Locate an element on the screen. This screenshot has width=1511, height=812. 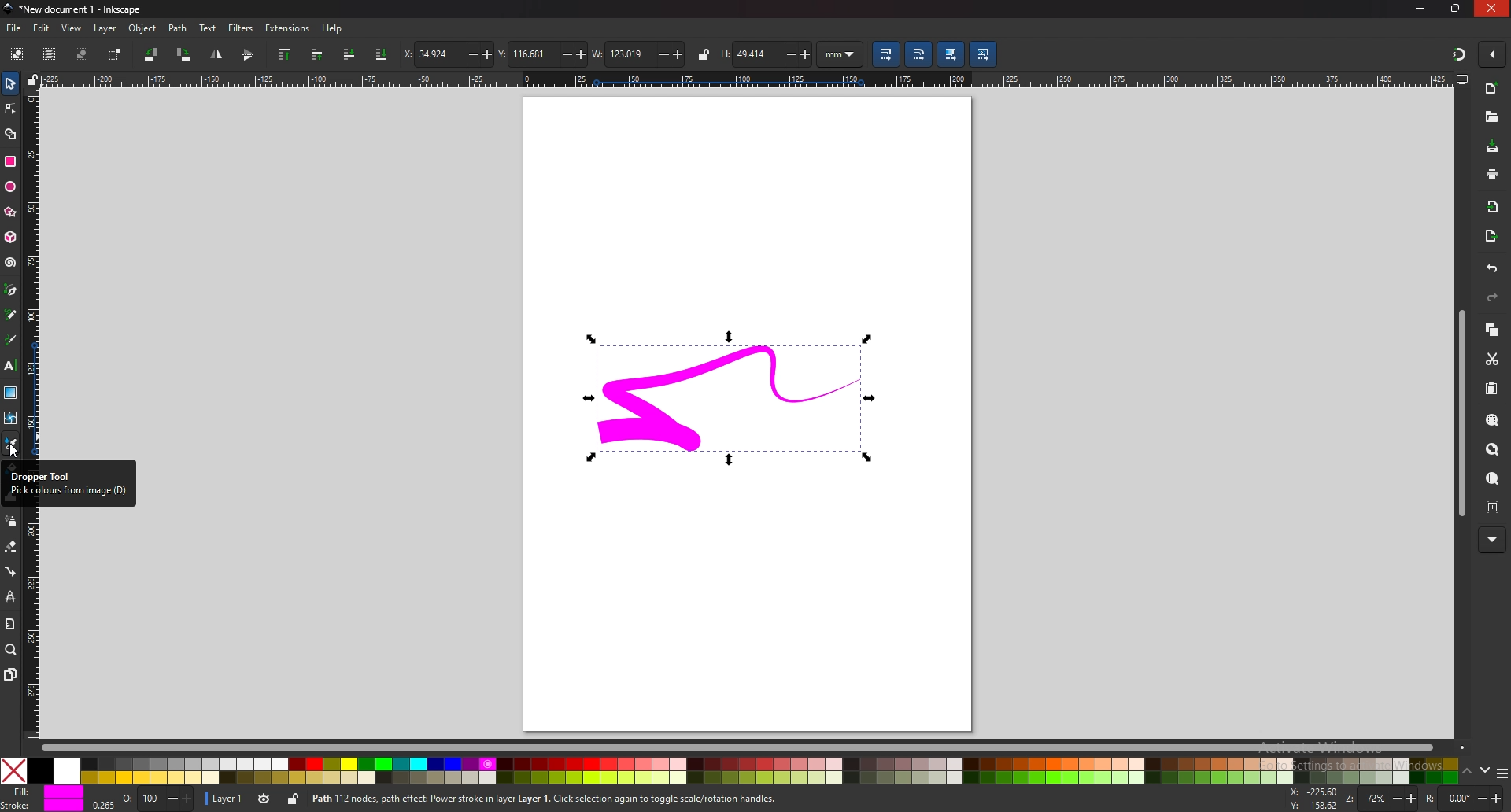
raise one step is located at coordinates (316, 55).